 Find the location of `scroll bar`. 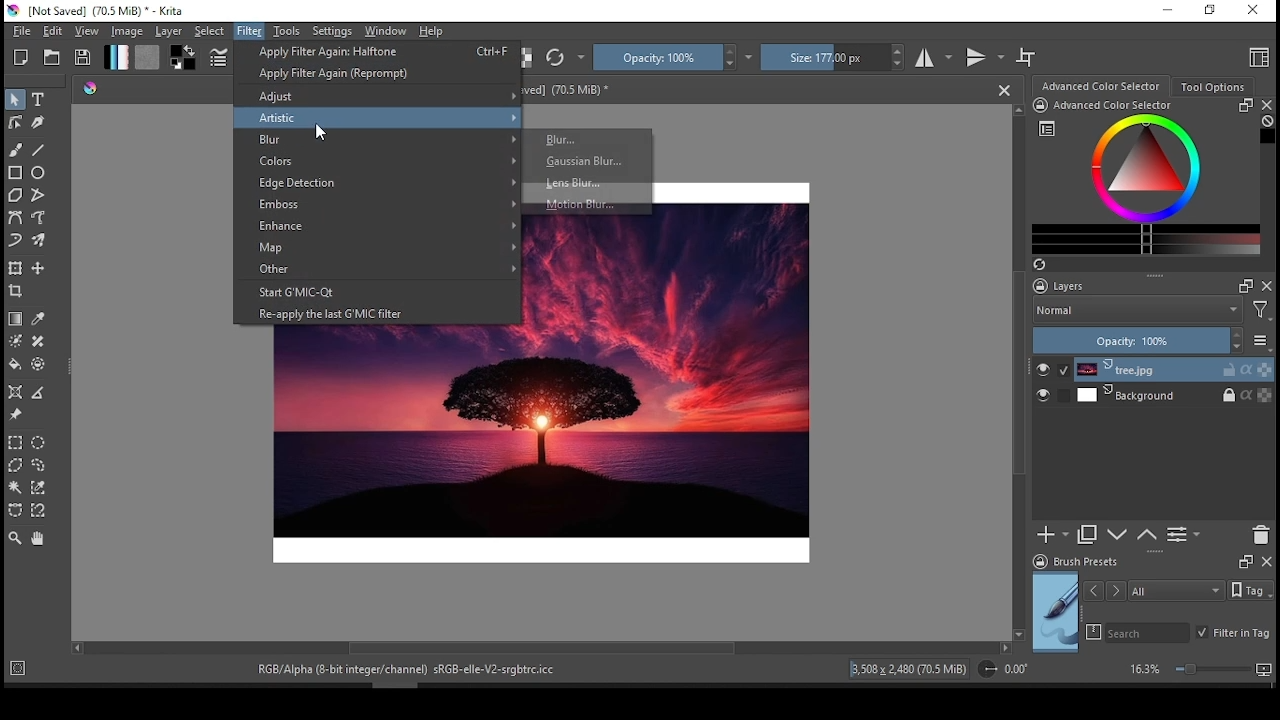

scroll bar is located at coordinates (1021, 372).